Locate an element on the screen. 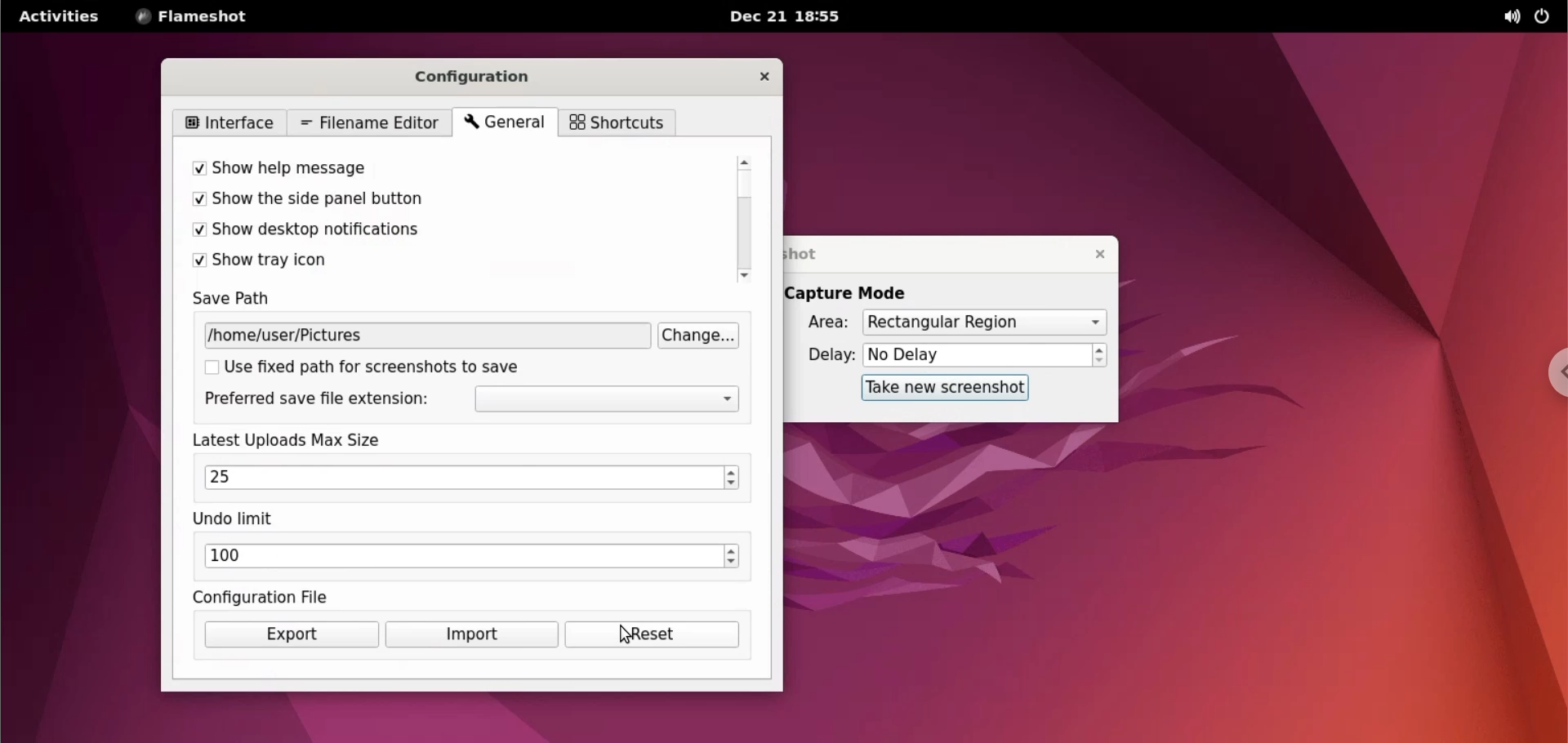 This screenshot has width=1568, height=743. reset  is located at coordinates (654, 635).